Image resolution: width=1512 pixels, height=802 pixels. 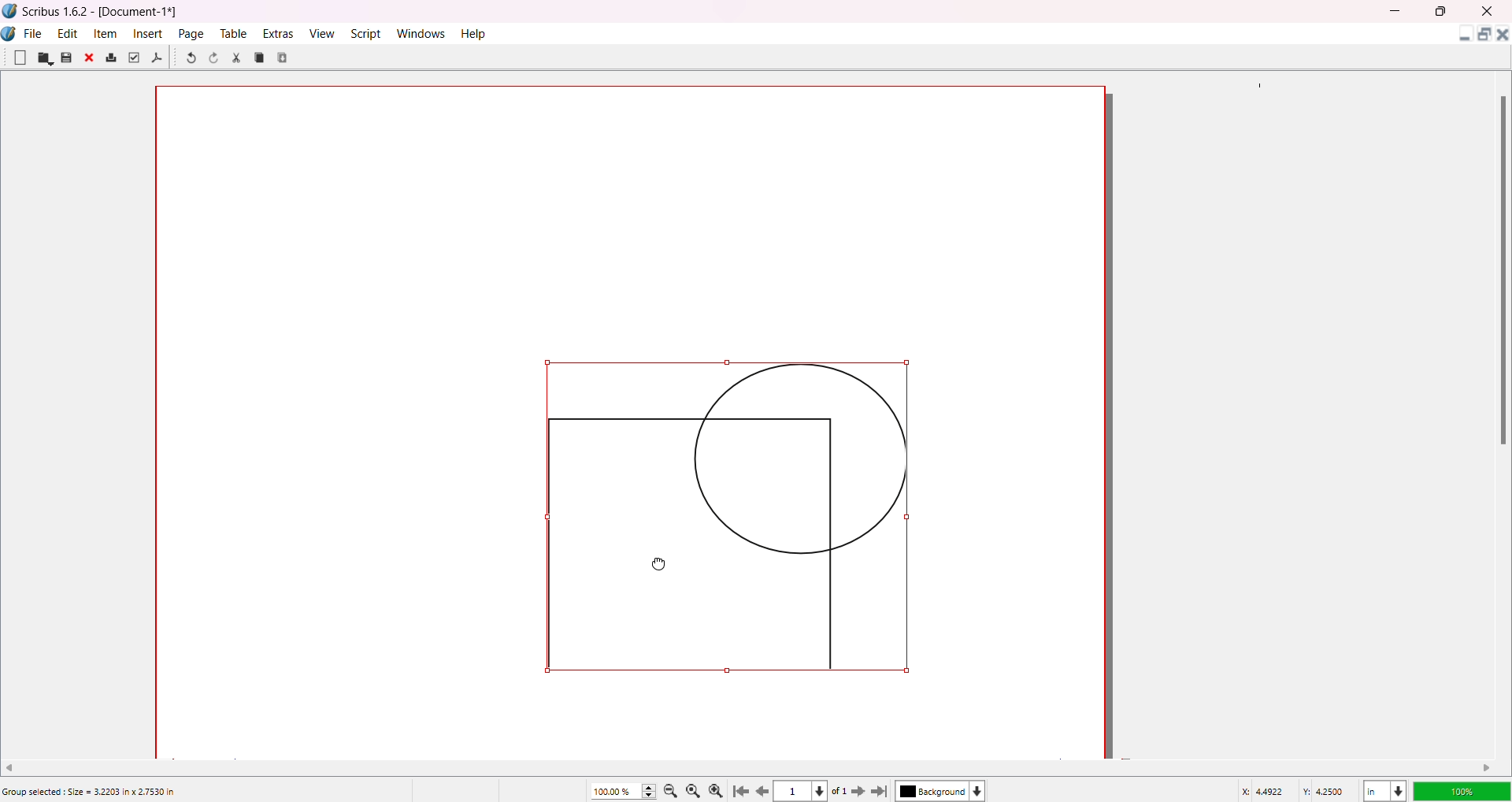 What do you see at coordinates (15, 766) in the screenshot?
I see `Move Left` at bounding box center [15, 766].